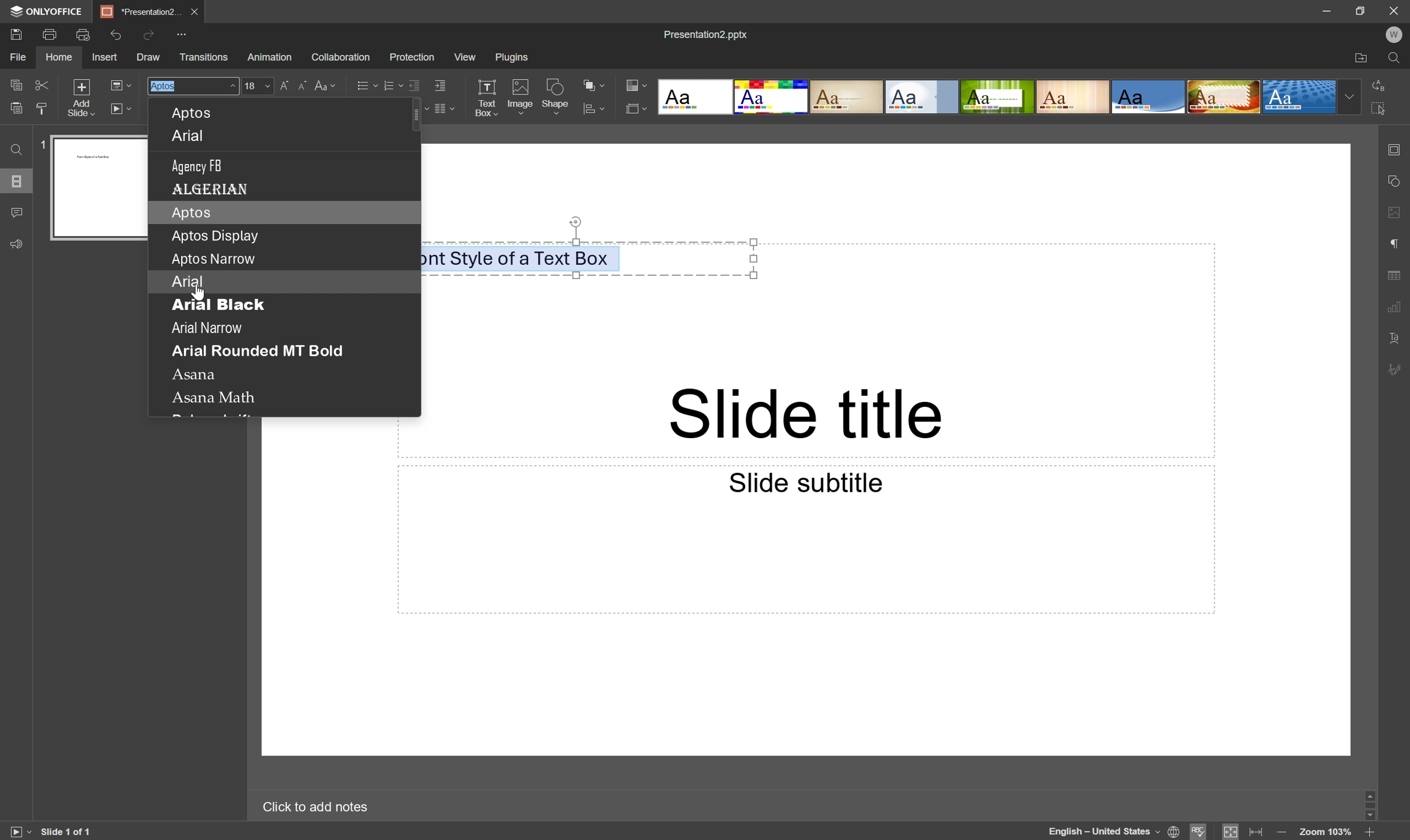  What do you see at coordinates (1006, 97) in the screenshot?
I see `Type of slides` at bounding box center [1006, 97].